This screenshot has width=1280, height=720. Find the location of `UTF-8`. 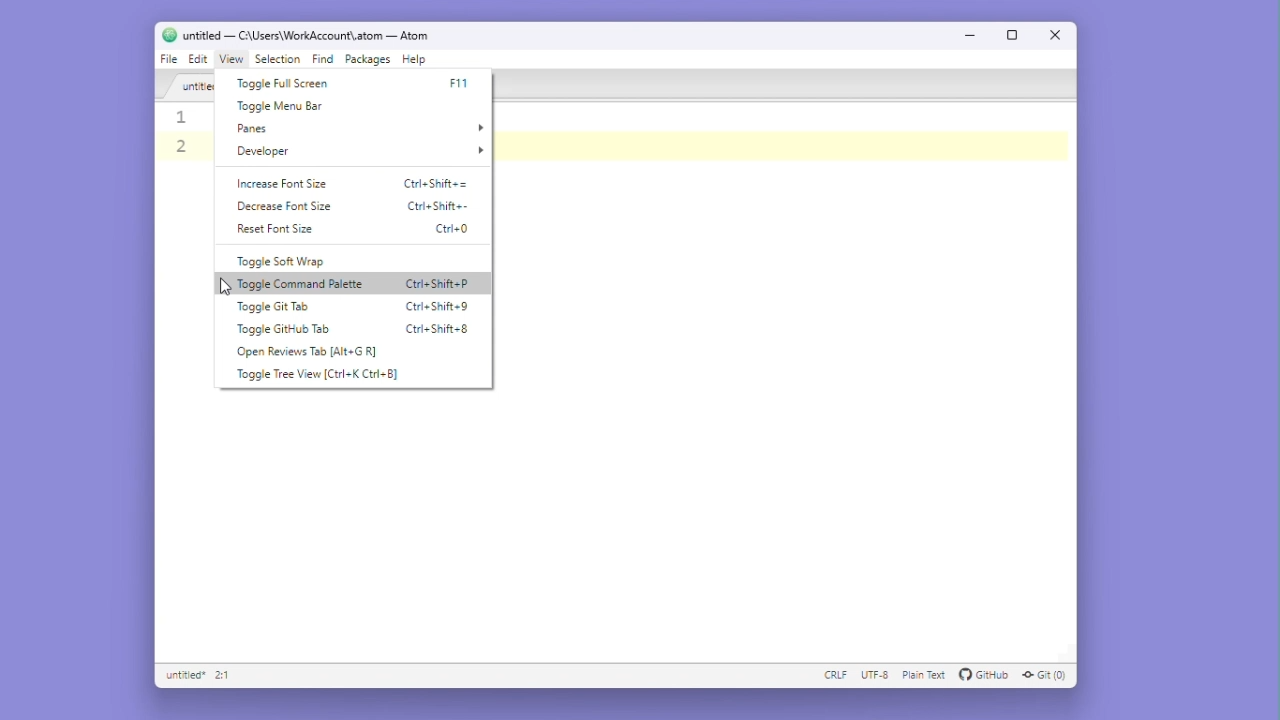

UTF-8 is located at coordinates (872, 677).